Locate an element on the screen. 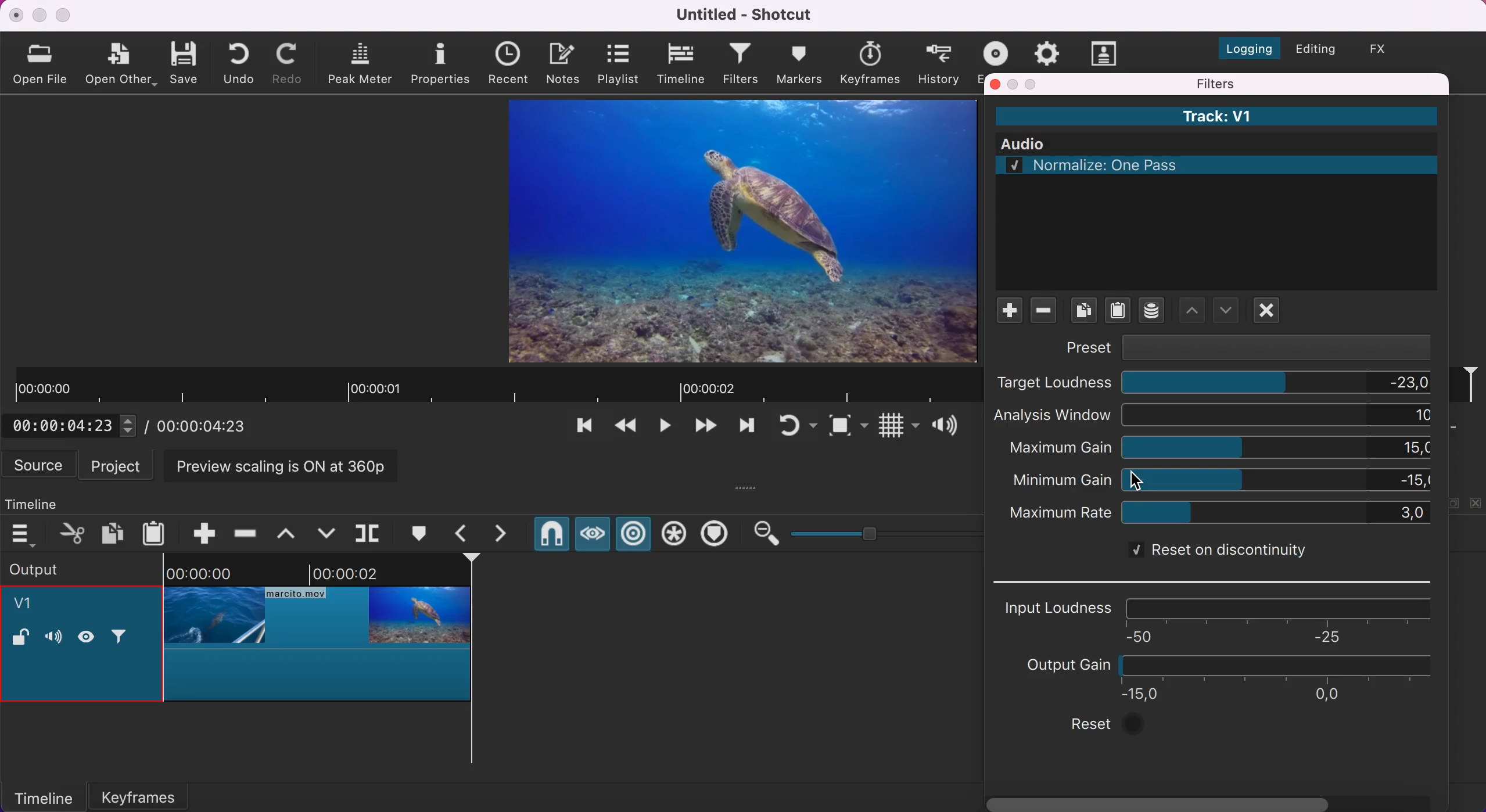 This screenshot has width=1486, height=812. zoom out is located at coordinates (765, 534).